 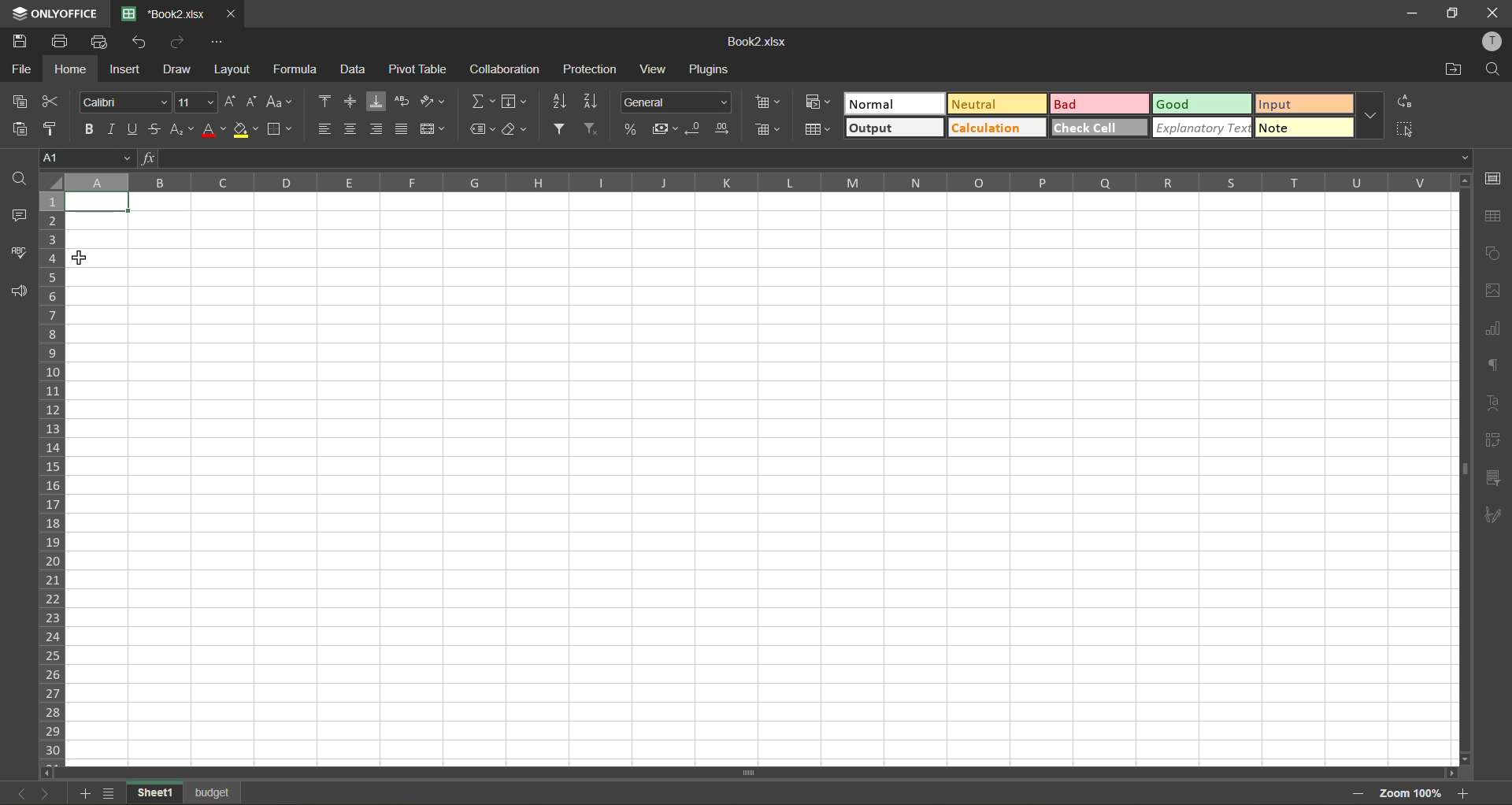 What do you see at coordinates (1462, 416) in the screenshot?
I see `scroll bar` at bounding box center [1462, 416].